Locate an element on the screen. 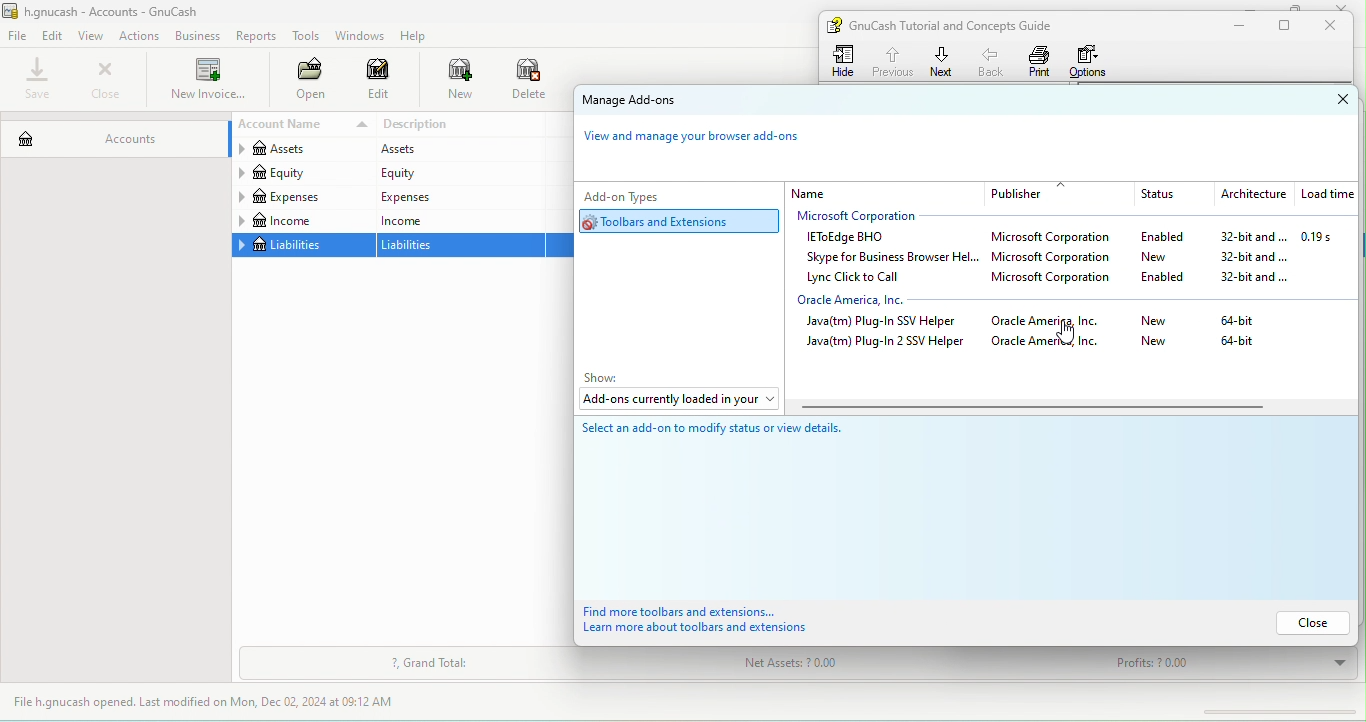 The width and height of the screenshot is (1366, 722). equity is located at coordinates (301, 174).